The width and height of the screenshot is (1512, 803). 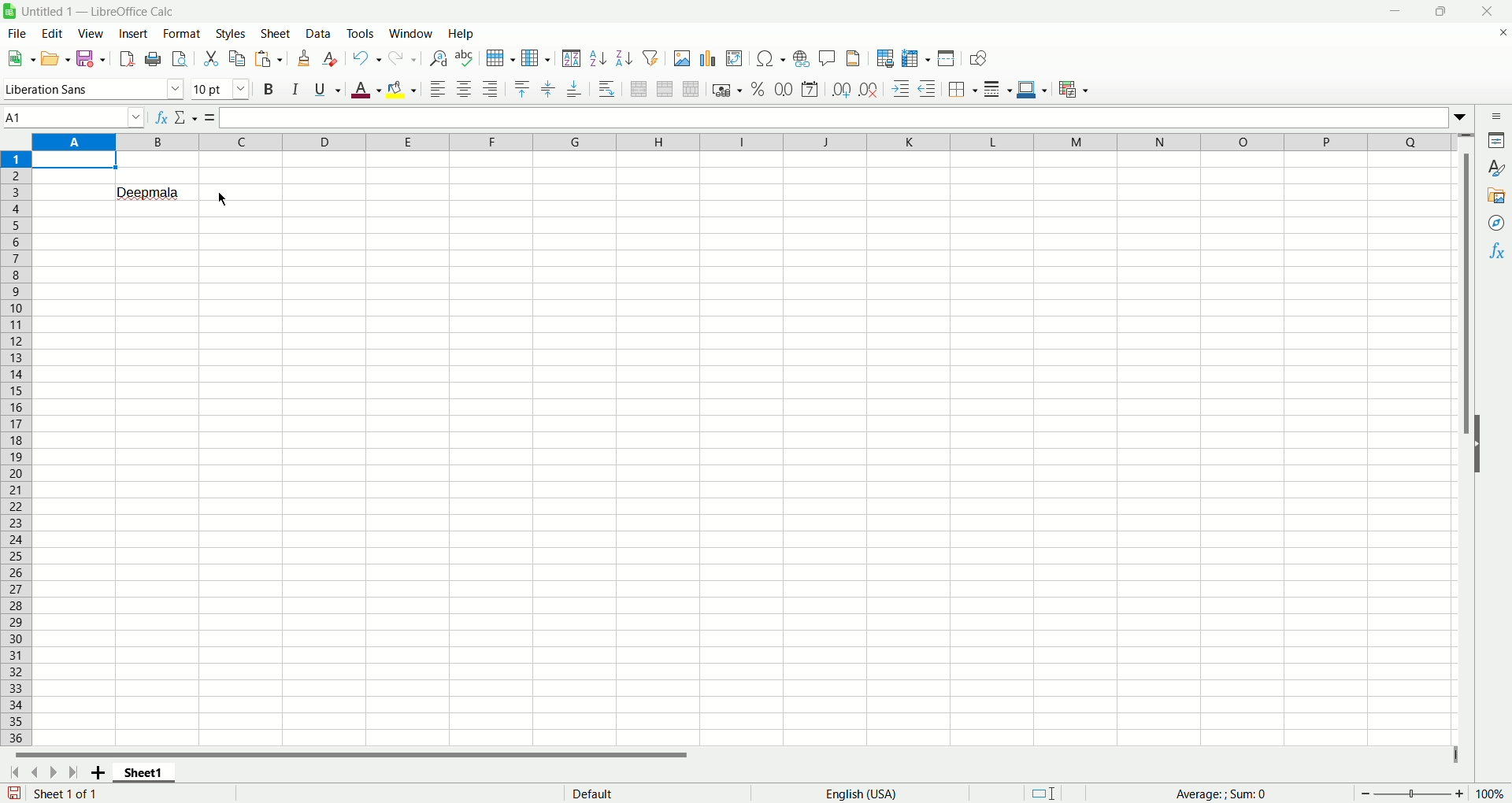 What do you see at coordinates (1043, 793) in the screenshot?
I see `Standard selection` at bounding box center [1043, 793].